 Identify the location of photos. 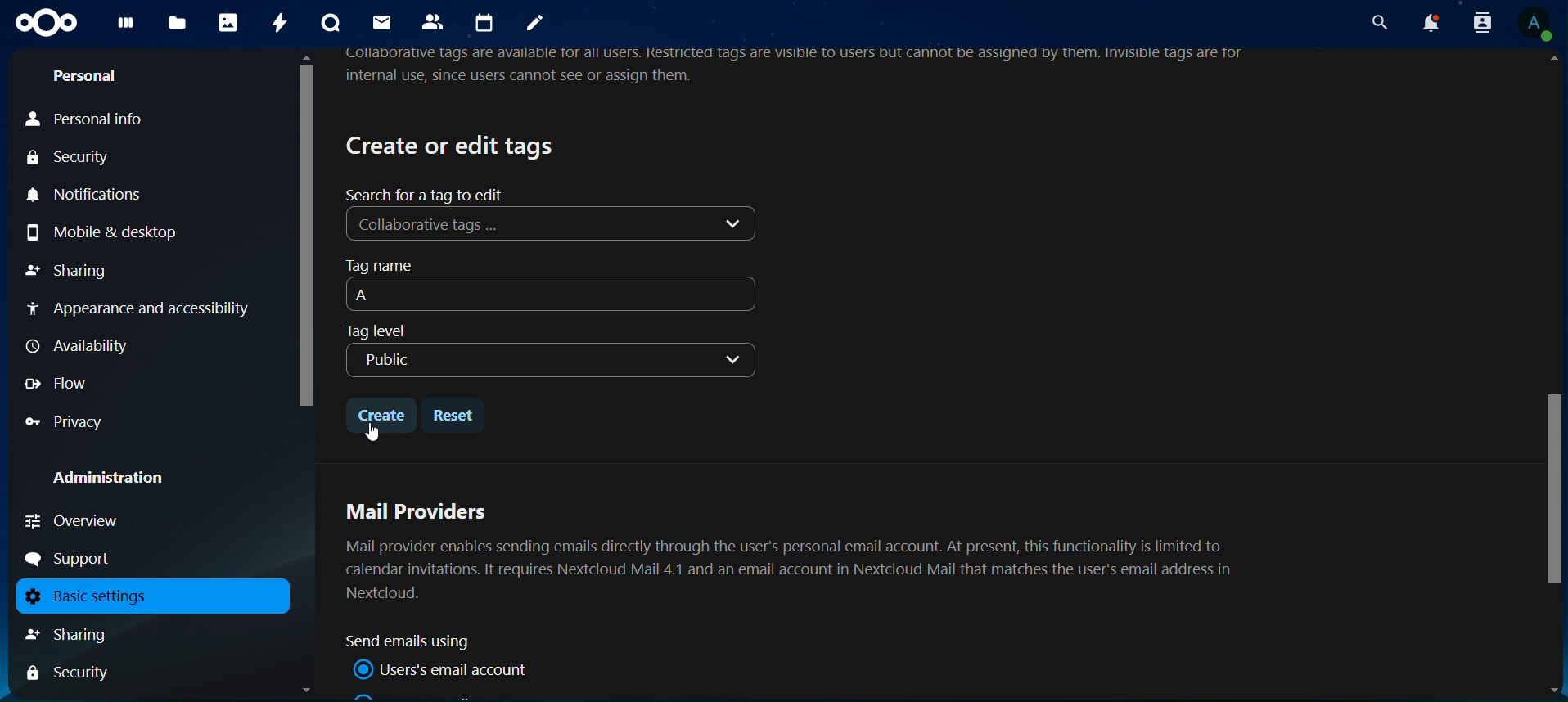
(228, 23).